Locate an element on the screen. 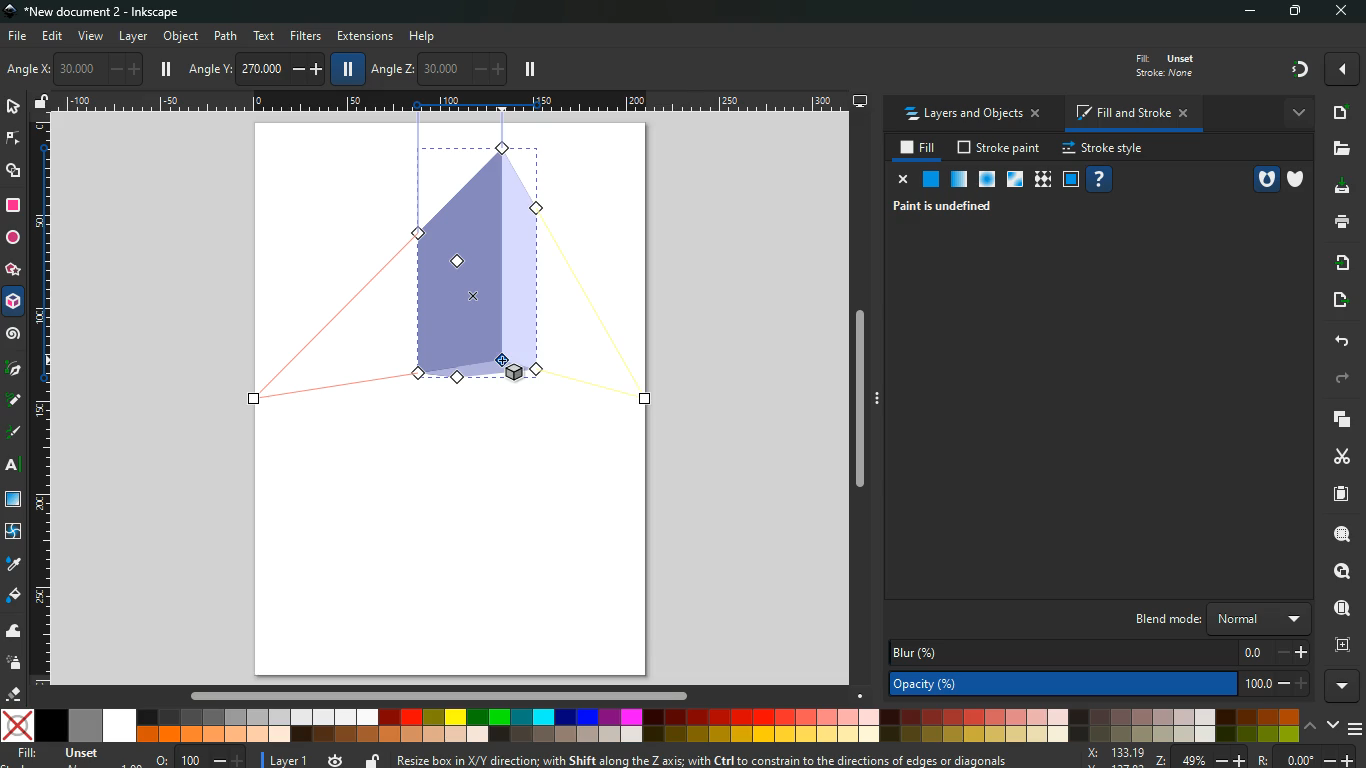  3d box tool is located at coordinates (14, 305).